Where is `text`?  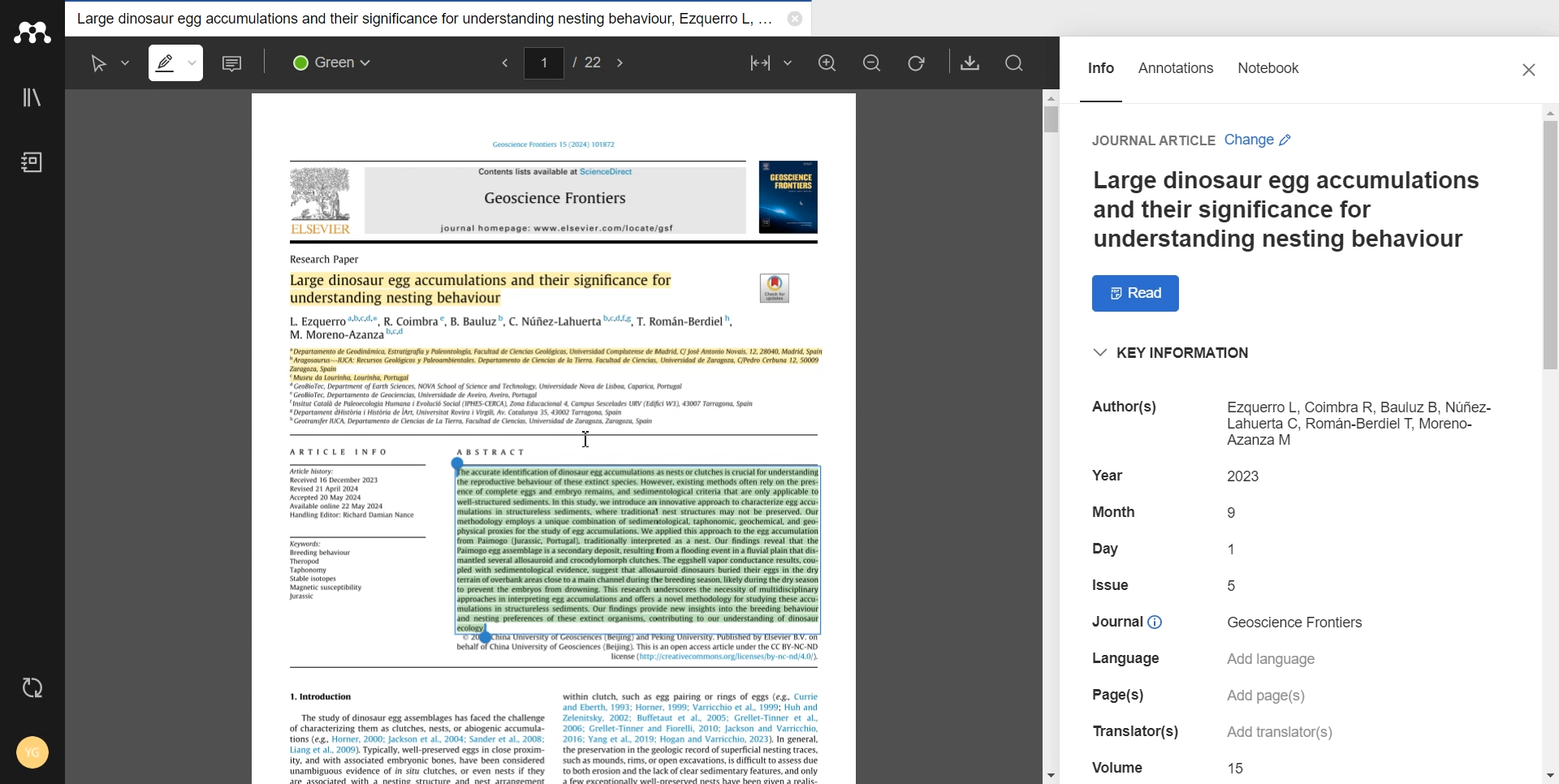 text is located at coordinates (1237, 513).